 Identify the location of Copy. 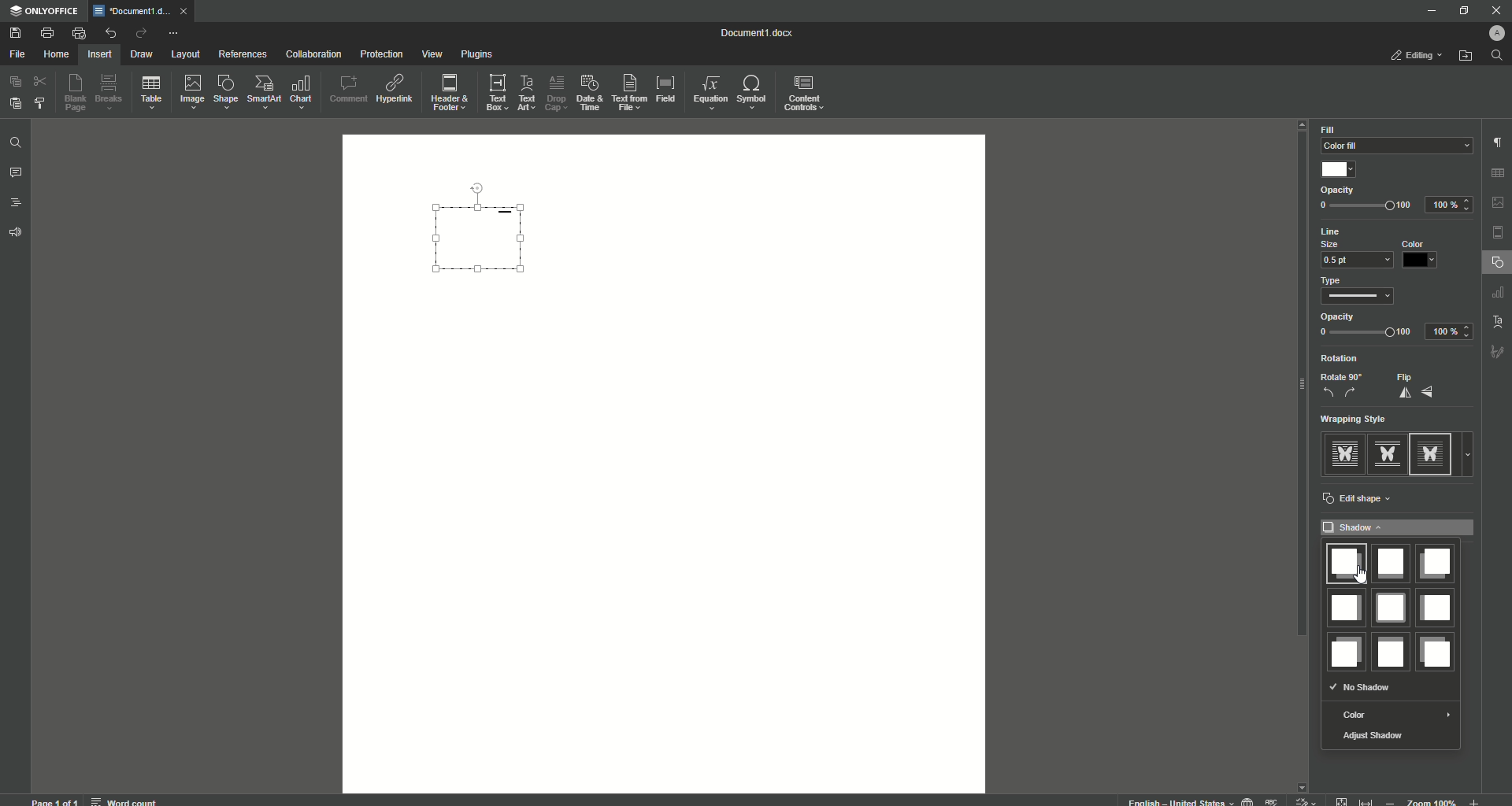
(16, 82).